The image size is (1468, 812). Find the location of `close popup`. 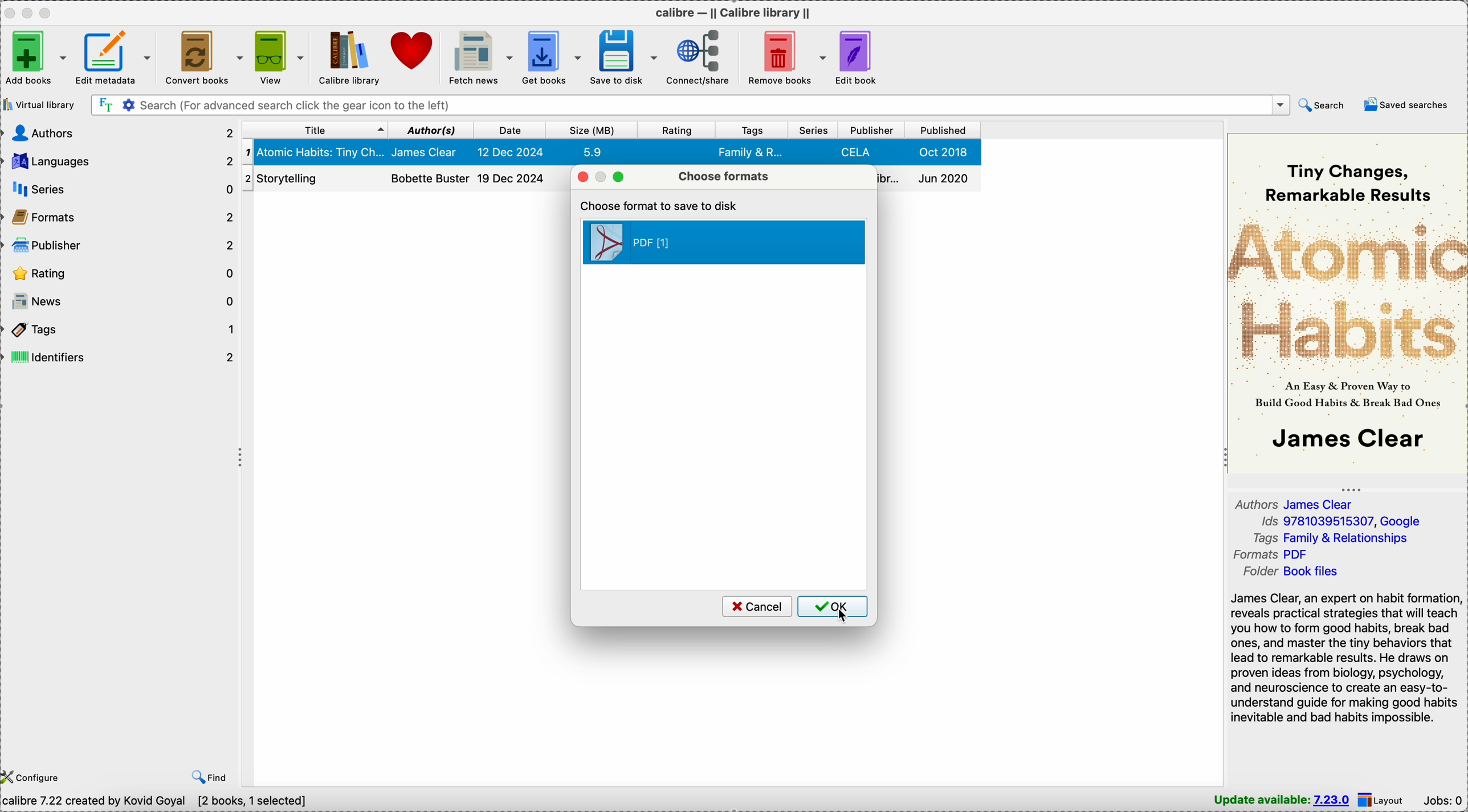

close popup is located at coordinates (582, 177).